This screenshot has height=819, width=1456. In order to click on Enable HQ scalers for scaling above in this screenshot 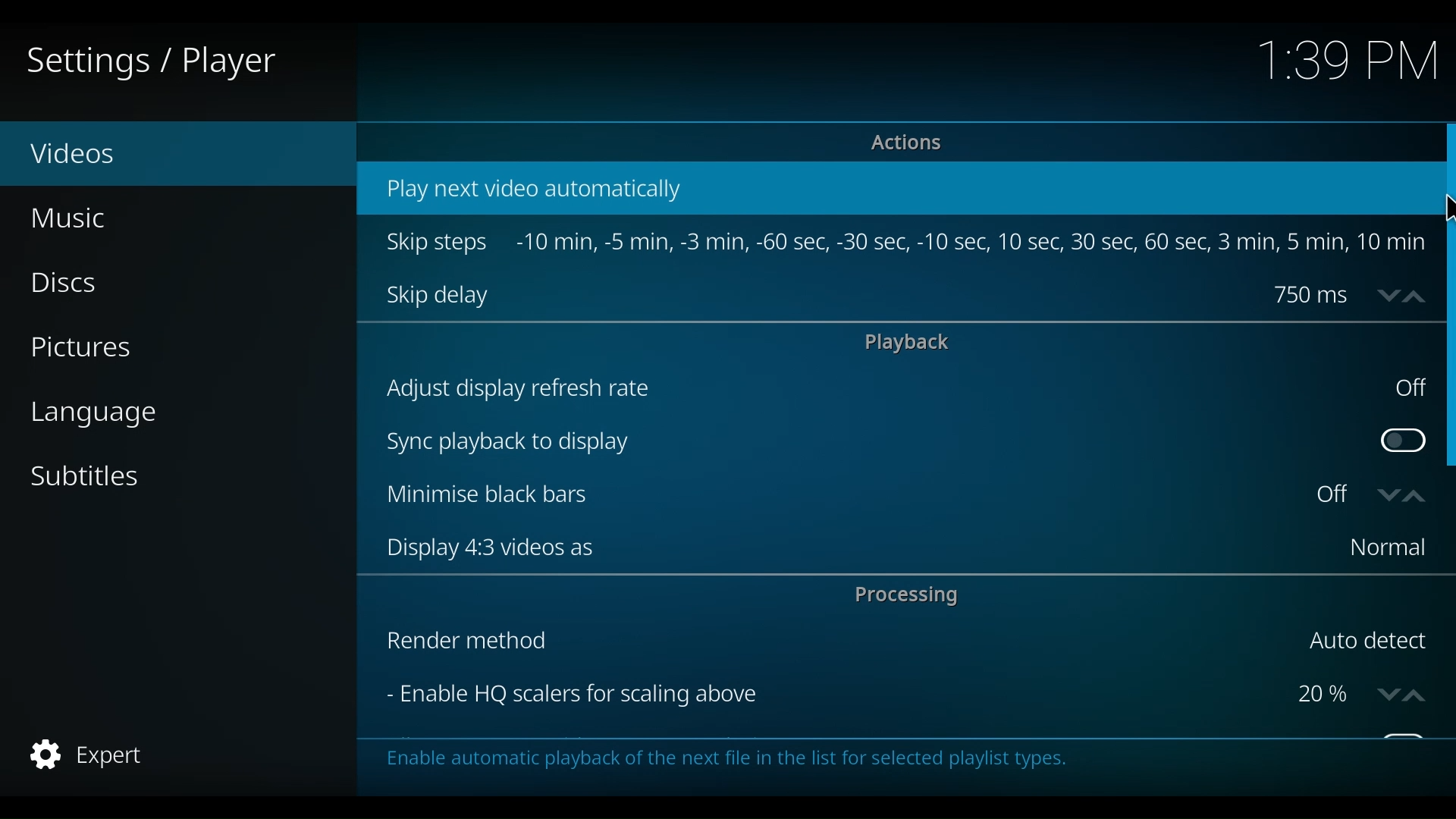, I will do `click(831, 695)`.